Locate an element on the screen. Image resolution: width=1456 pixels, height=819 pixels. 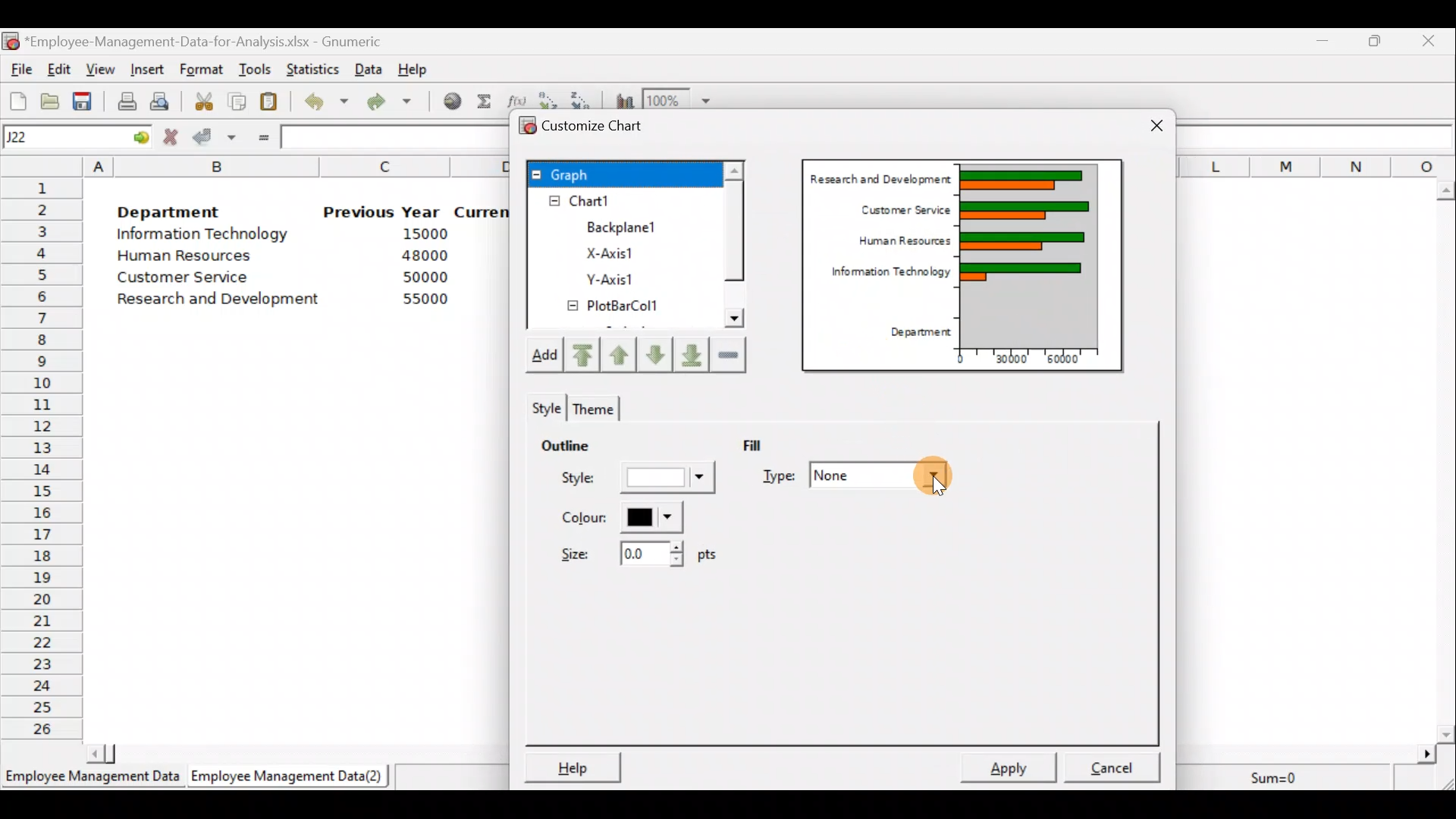
‘Employee-Management-Data-for-Analysis.xlsx - Gnumeric is located at coordinates (219, 42).